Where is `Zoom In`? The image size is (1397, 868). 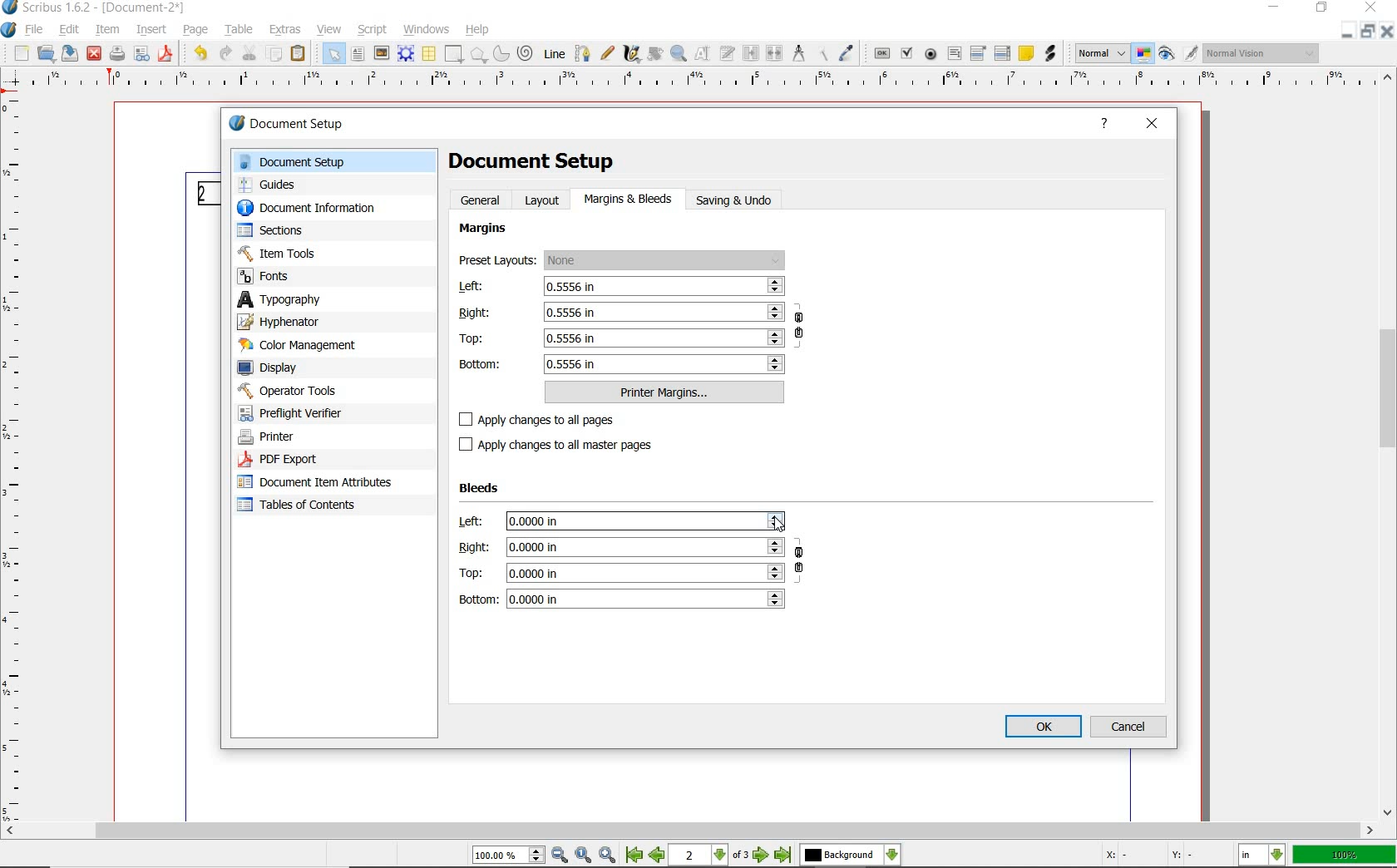
Zoom In is located at coordinates (609, 856).